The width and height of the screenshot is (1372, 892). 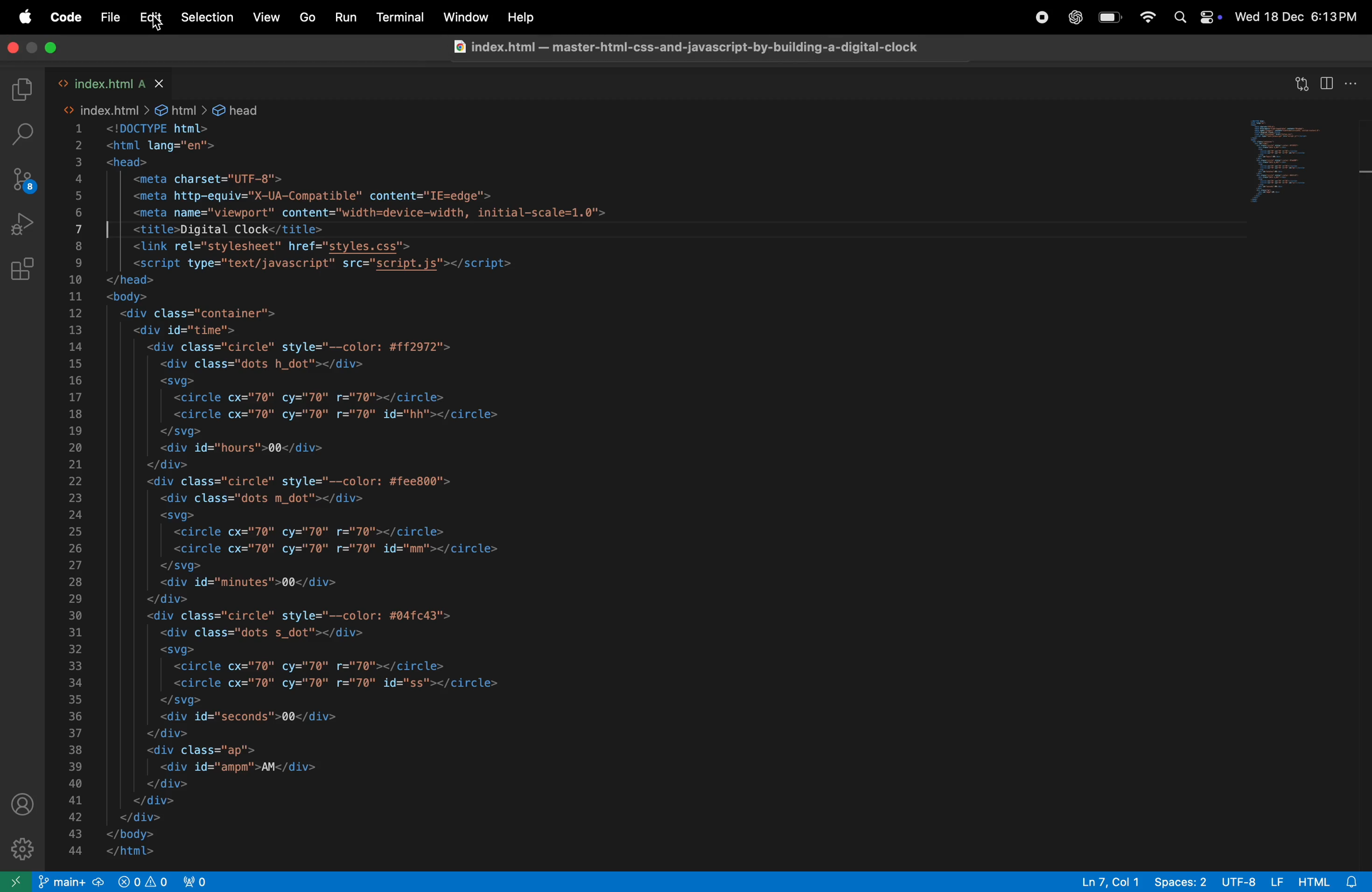 I want to click on extensions, so click(x=24, y=272).